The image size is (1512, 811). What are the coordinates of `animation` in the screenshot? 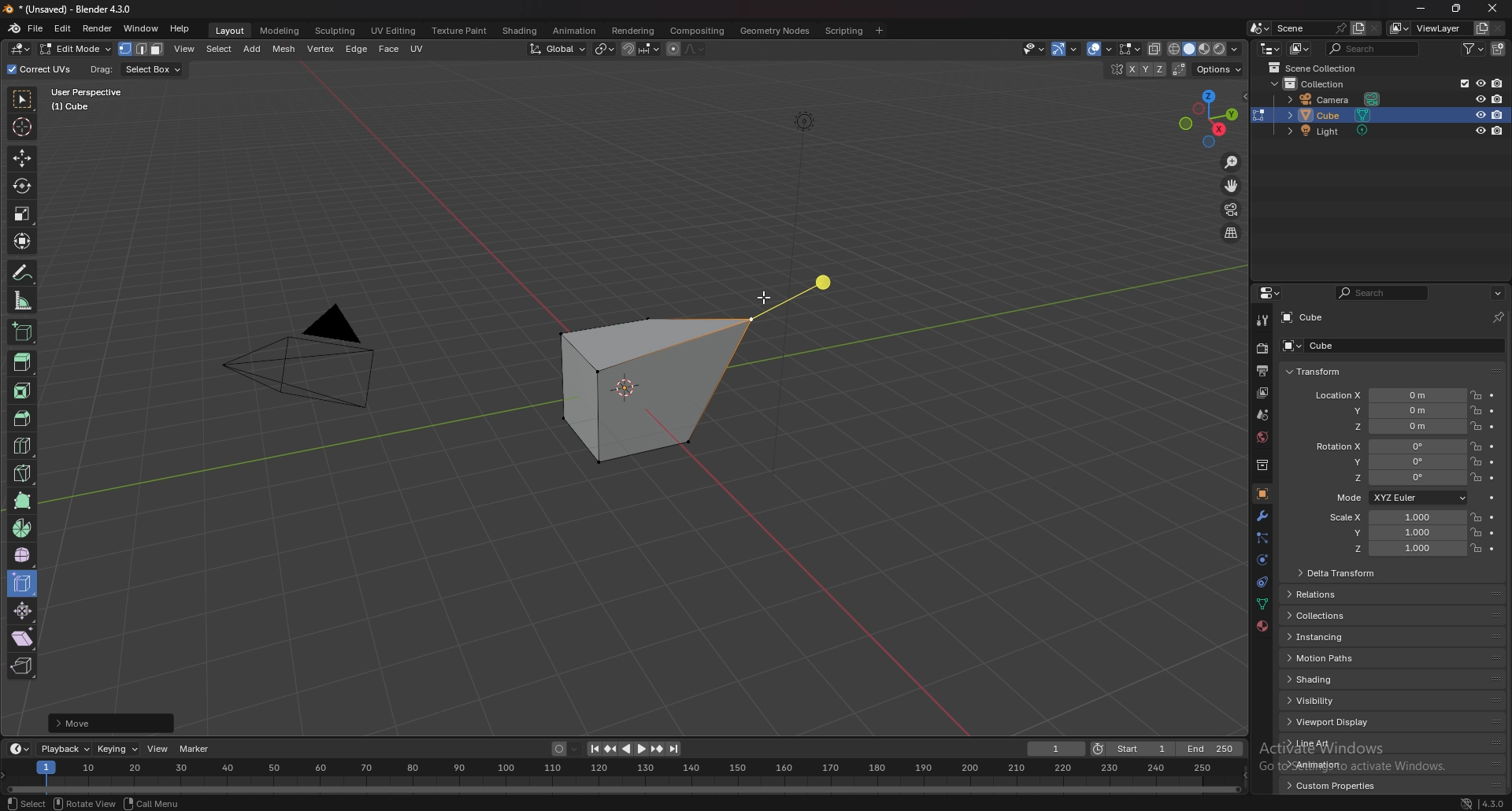 It's located at (576, 30).